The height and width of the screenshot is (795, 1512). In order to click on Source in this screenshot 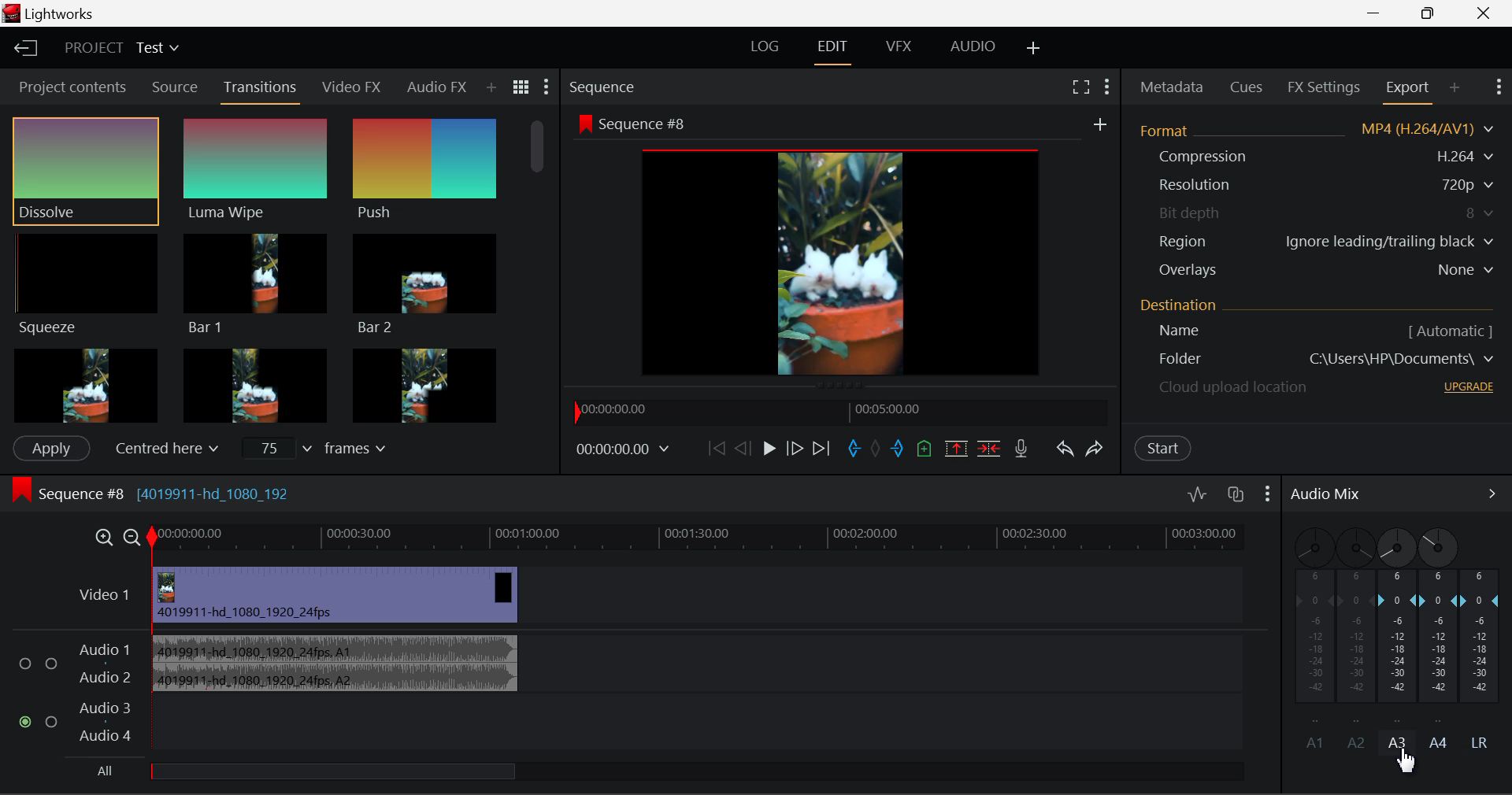, I will do `click(175, 87)`.